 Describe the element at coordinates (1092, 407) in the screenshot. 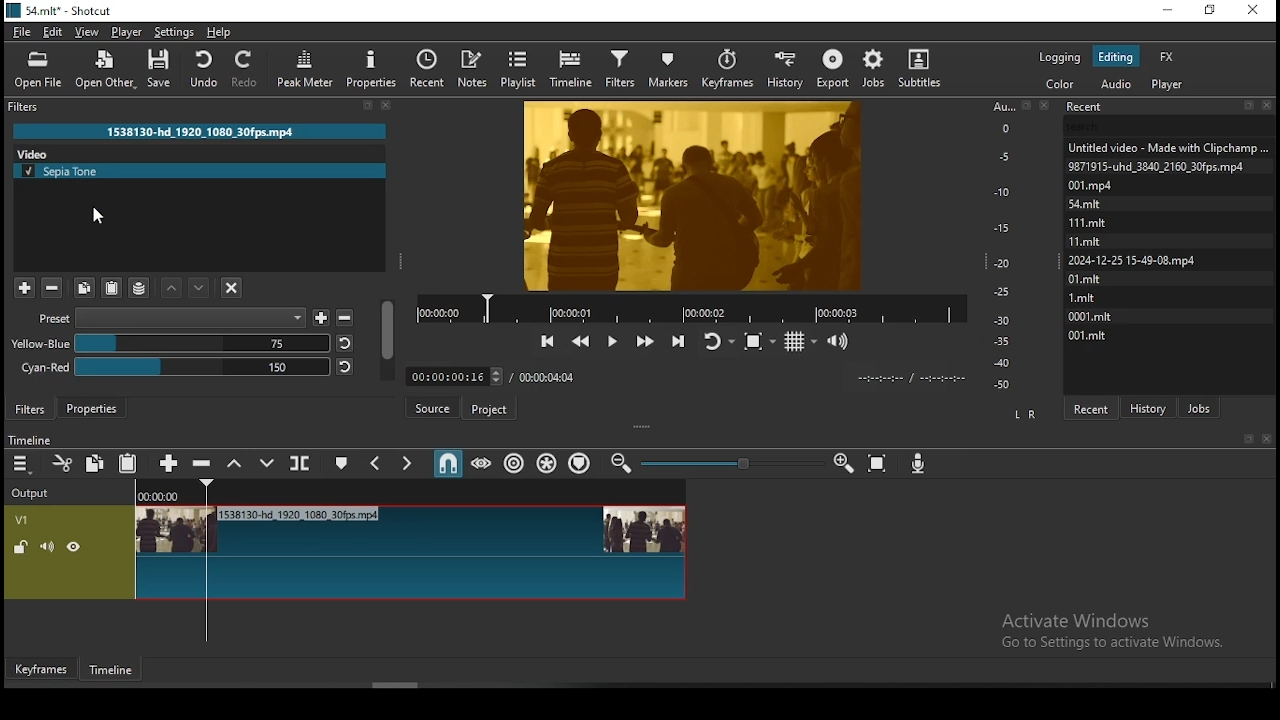

I see `recent` at that location.